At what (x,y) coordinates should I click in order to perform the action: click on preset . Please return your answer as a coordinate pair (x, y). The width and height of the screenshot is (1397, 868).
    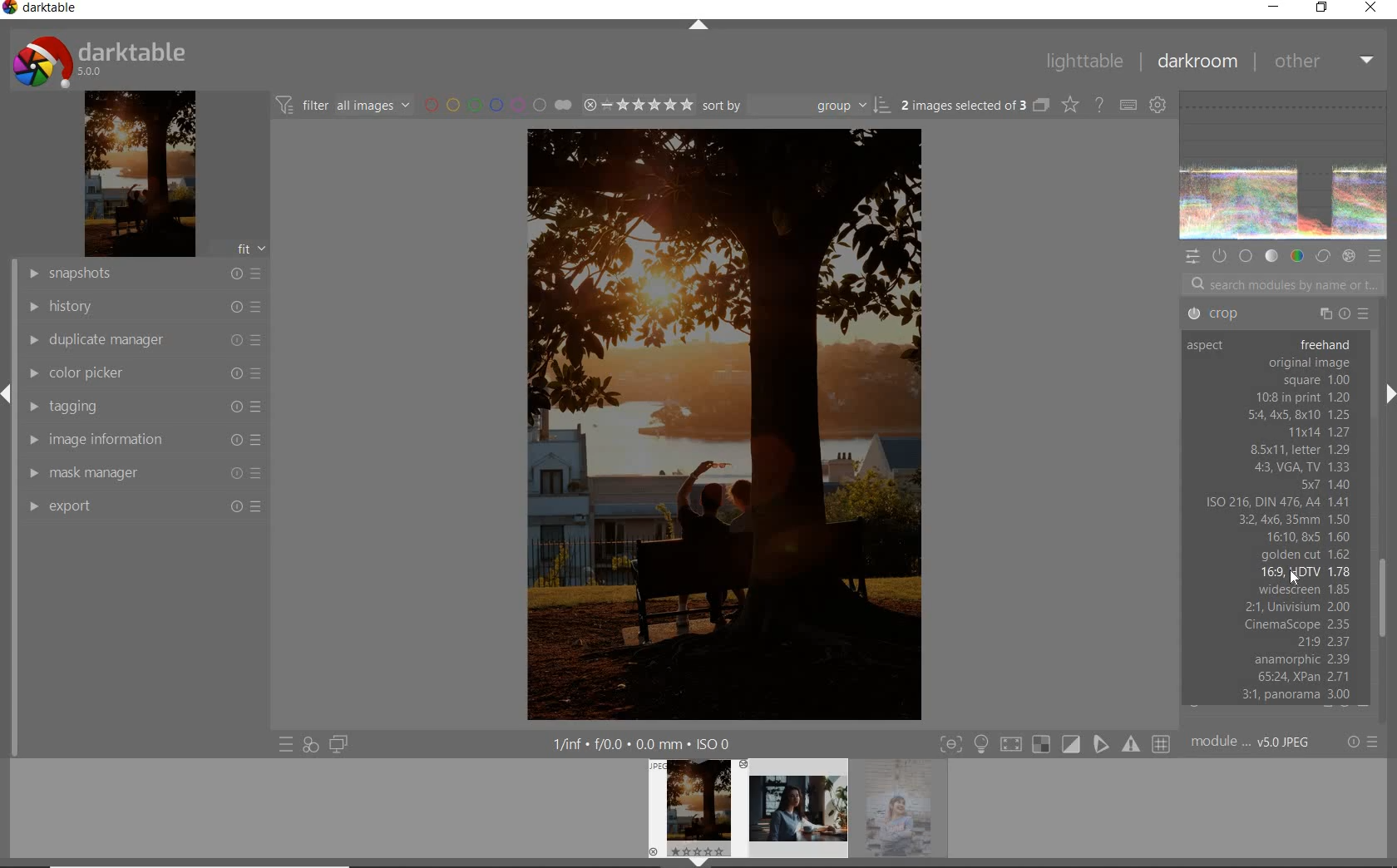
    Looking at the image, I should click on (1375, 254).